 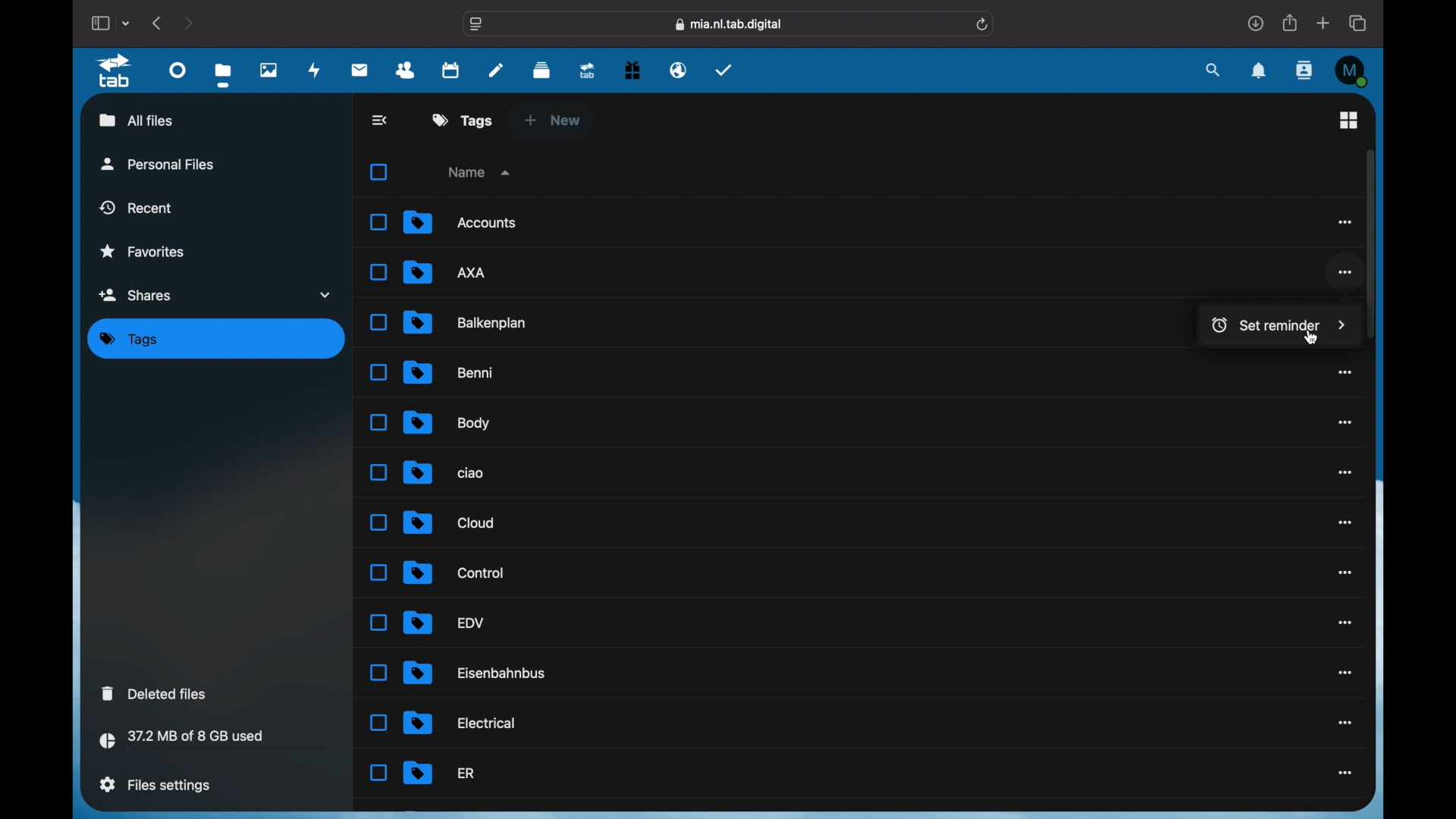 I want to click on more options, so click(x=1345, y=273).